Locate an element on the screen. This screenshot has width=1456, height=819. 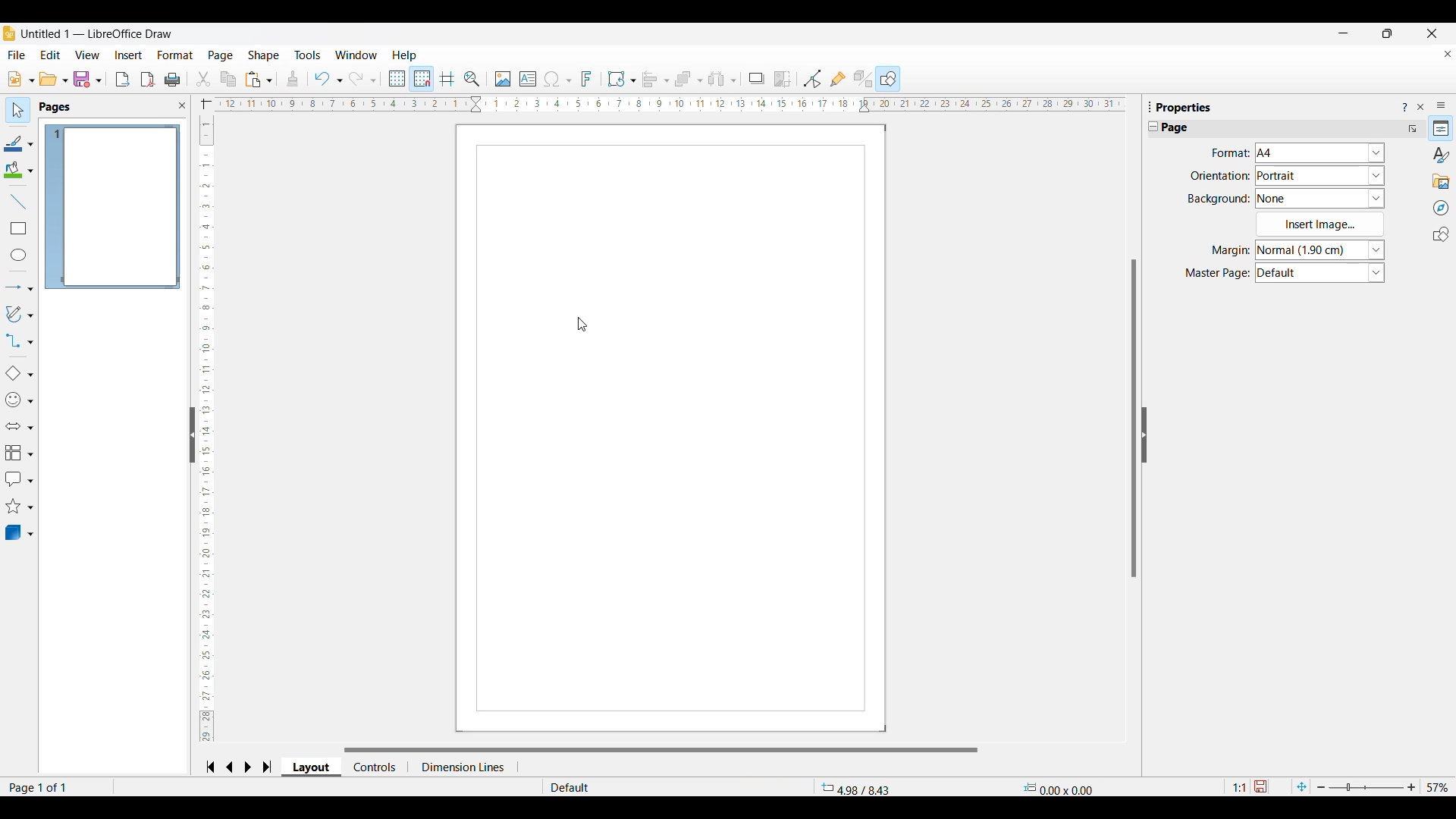
Basic shape options is located at coordinates (19, 373).